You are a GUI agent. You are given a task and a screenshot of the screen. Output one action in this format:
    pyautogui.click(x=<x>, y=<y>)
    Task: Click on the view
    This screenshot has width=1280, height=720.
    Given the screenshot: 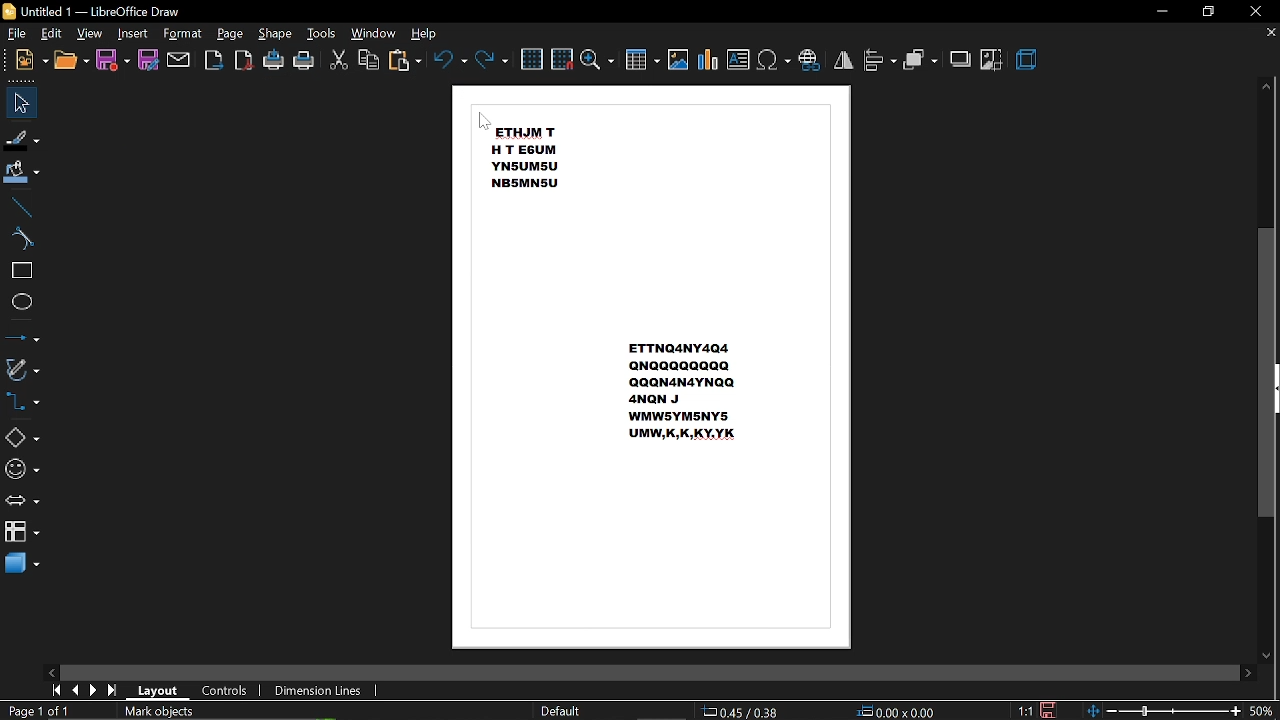 What is the action you would take?
    pyautogui.click(x=90, y=34)
    